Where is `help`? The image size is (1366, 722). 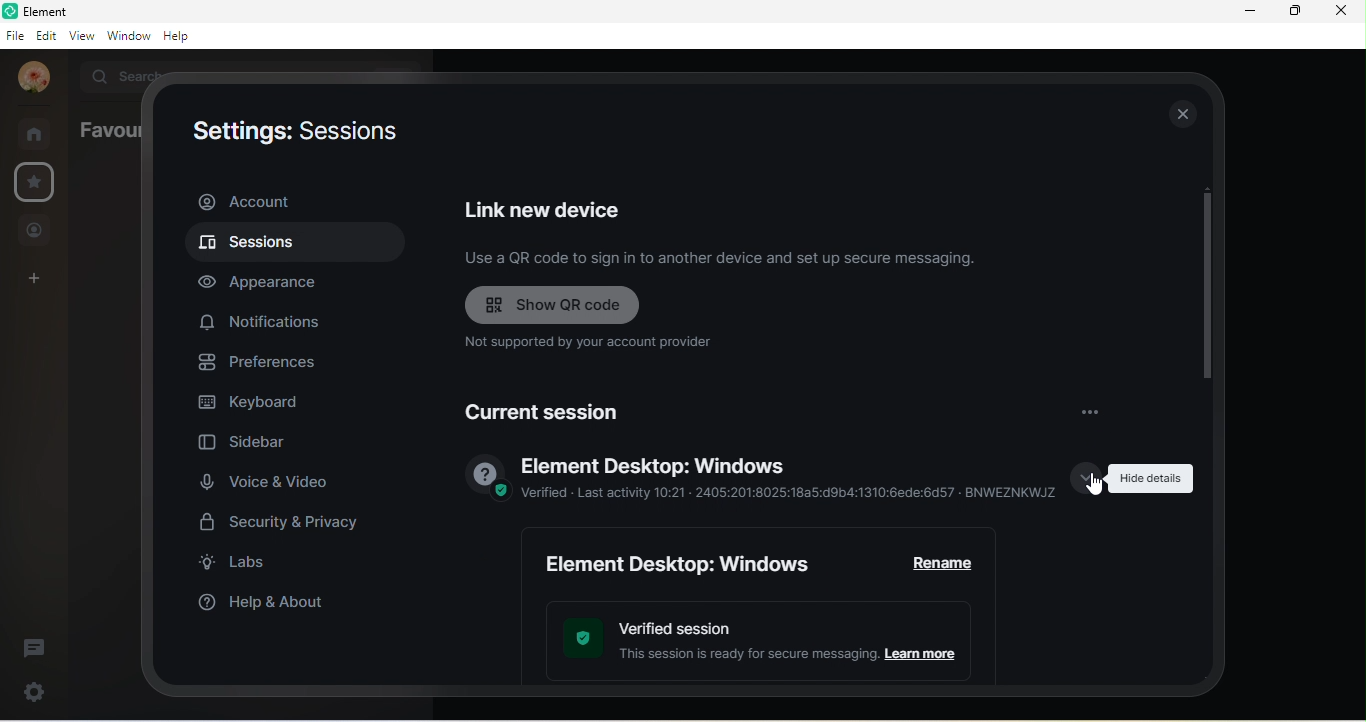 help is located at coordinates (181, 37).